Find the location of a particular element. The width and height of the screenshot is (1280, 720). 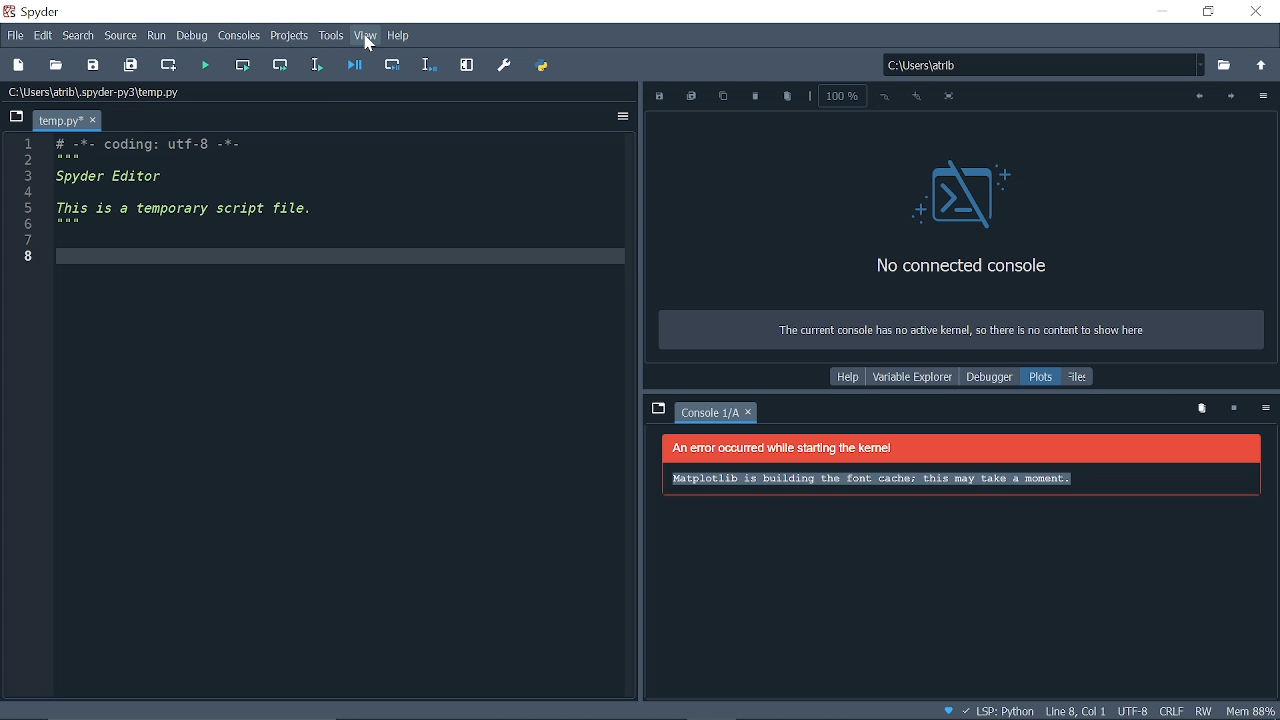

Open is located at coordinates (56, 64).